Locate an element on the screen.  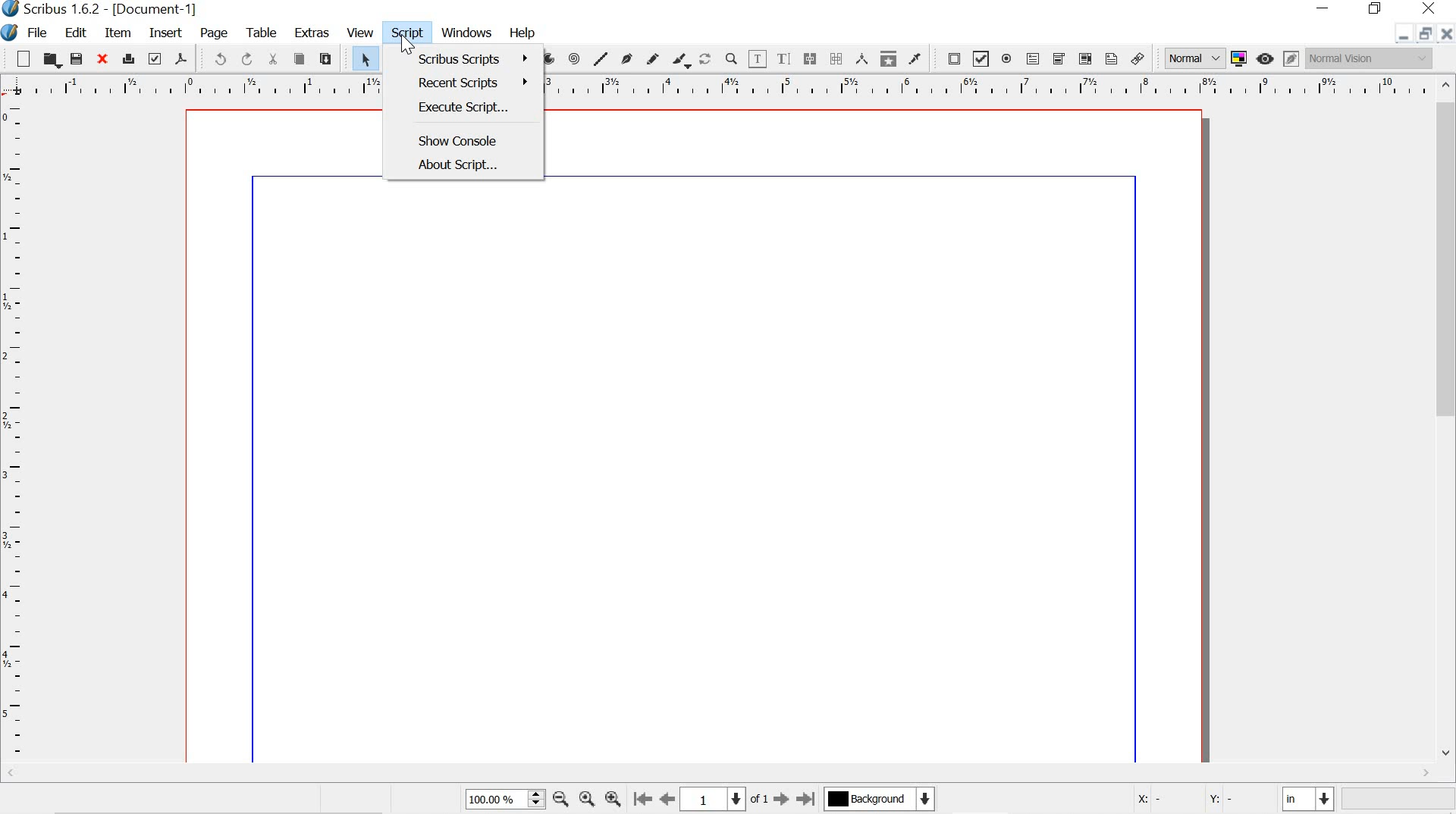
pdf radio button is located at coordinates (1008, 61).